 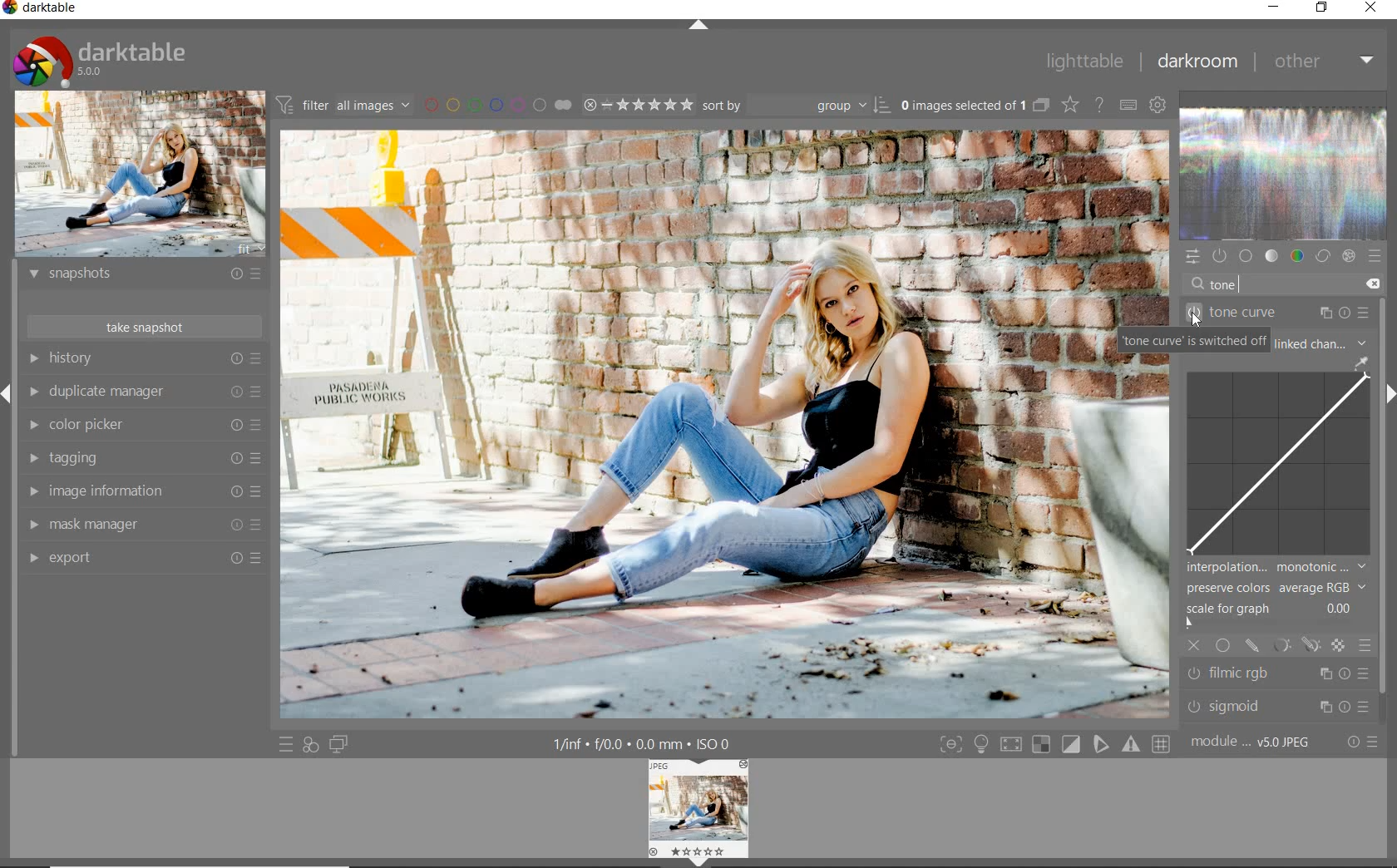 I want to click on show global preferences, so click(x=1159, y=106).